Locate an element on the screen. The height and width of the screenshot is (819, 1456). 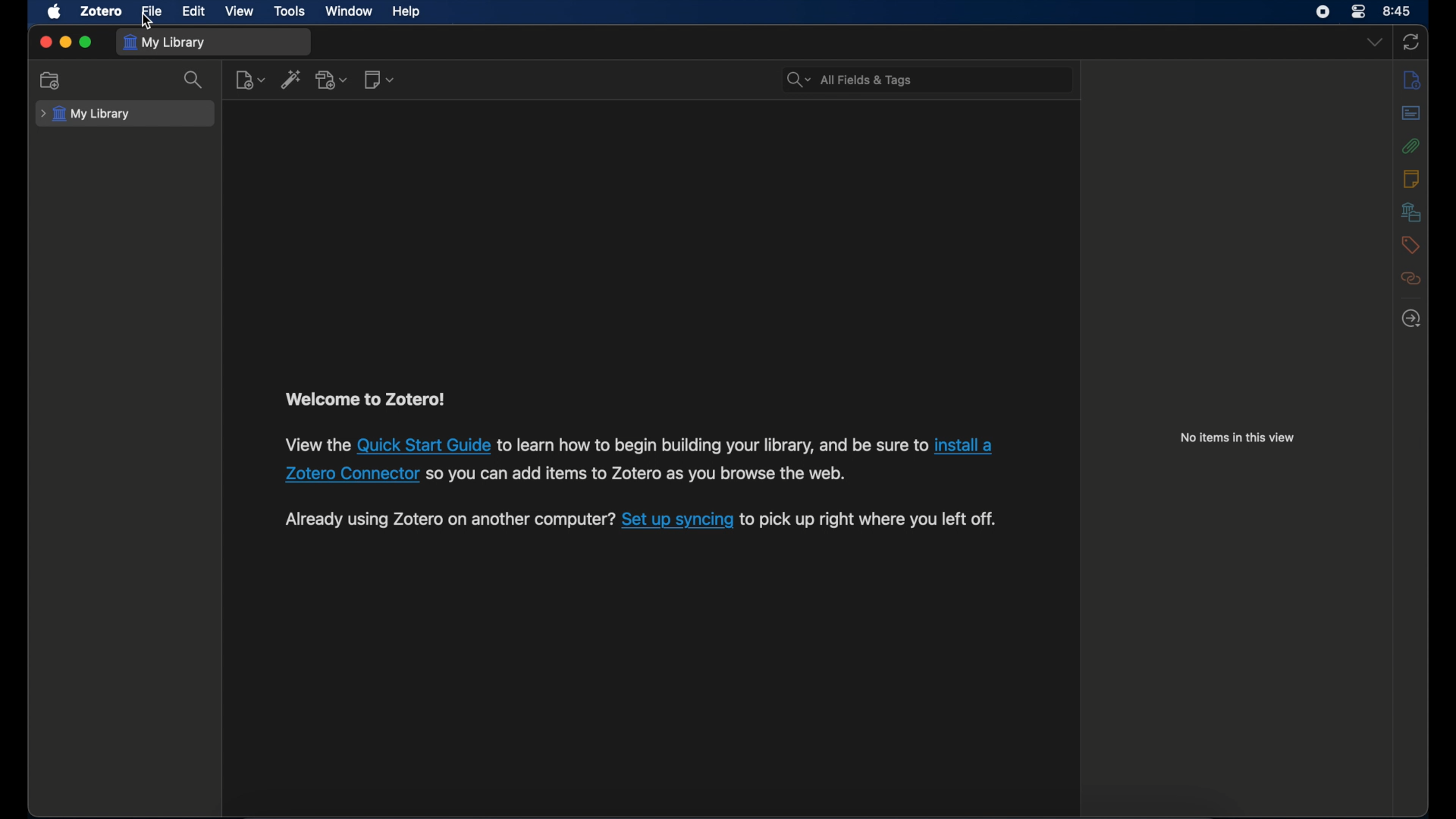
add item by identifier is located at coordinates (292, 81).